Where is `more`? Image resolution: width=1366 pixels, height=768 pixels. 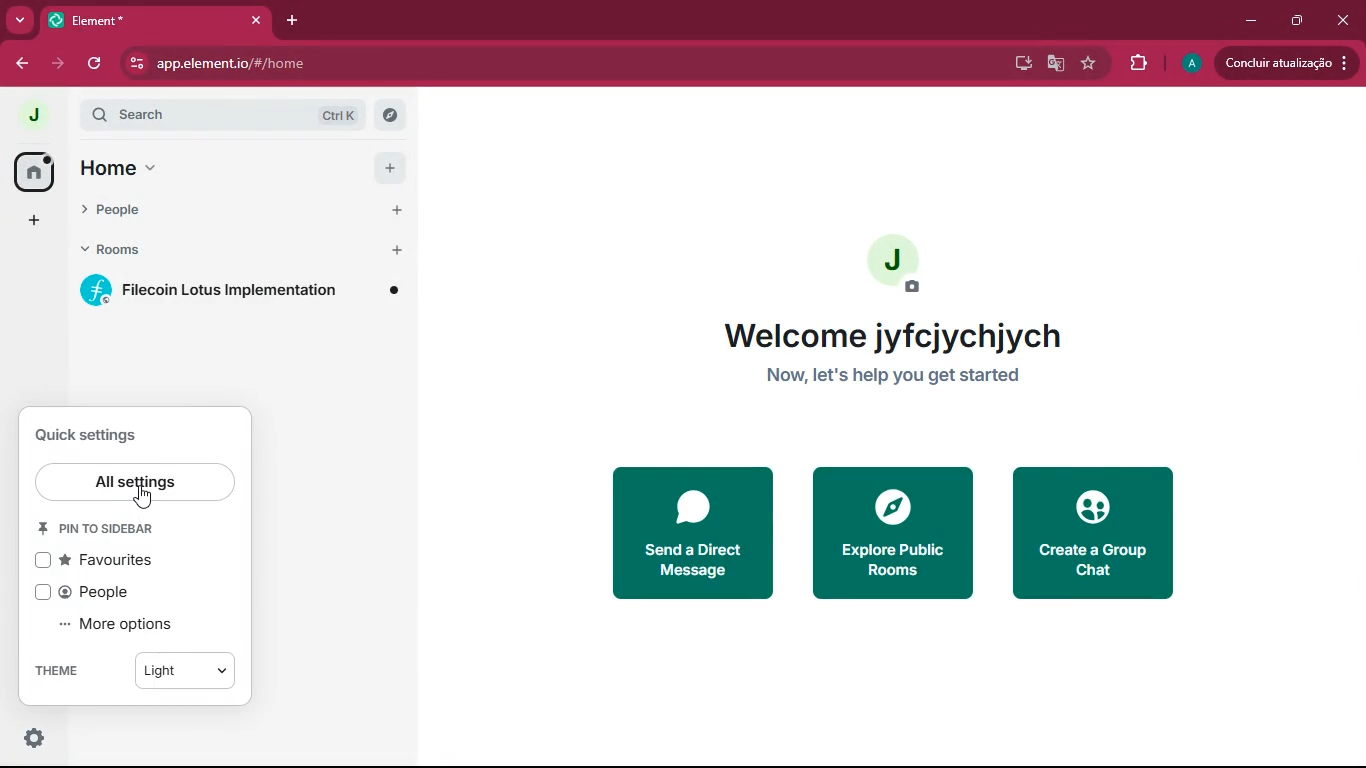
more is located at coordinates (20, 21).